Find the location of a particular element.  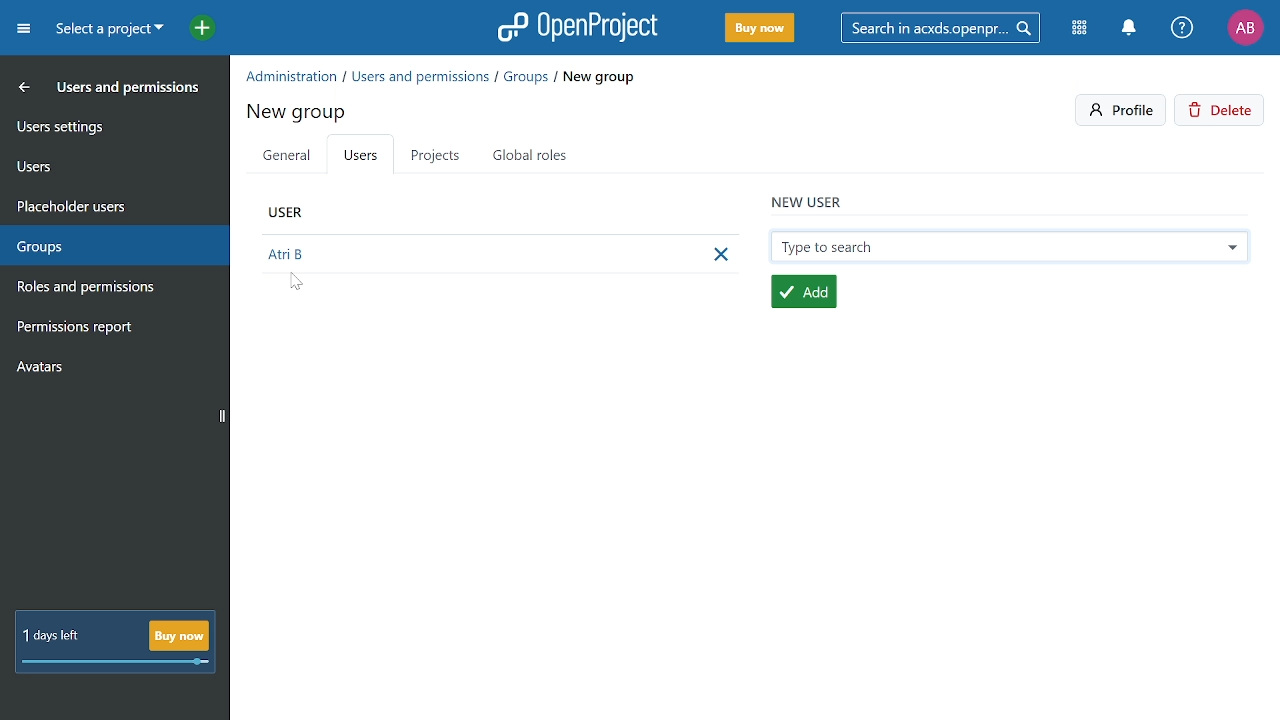

Avatars is located at coordinates (111, 371).